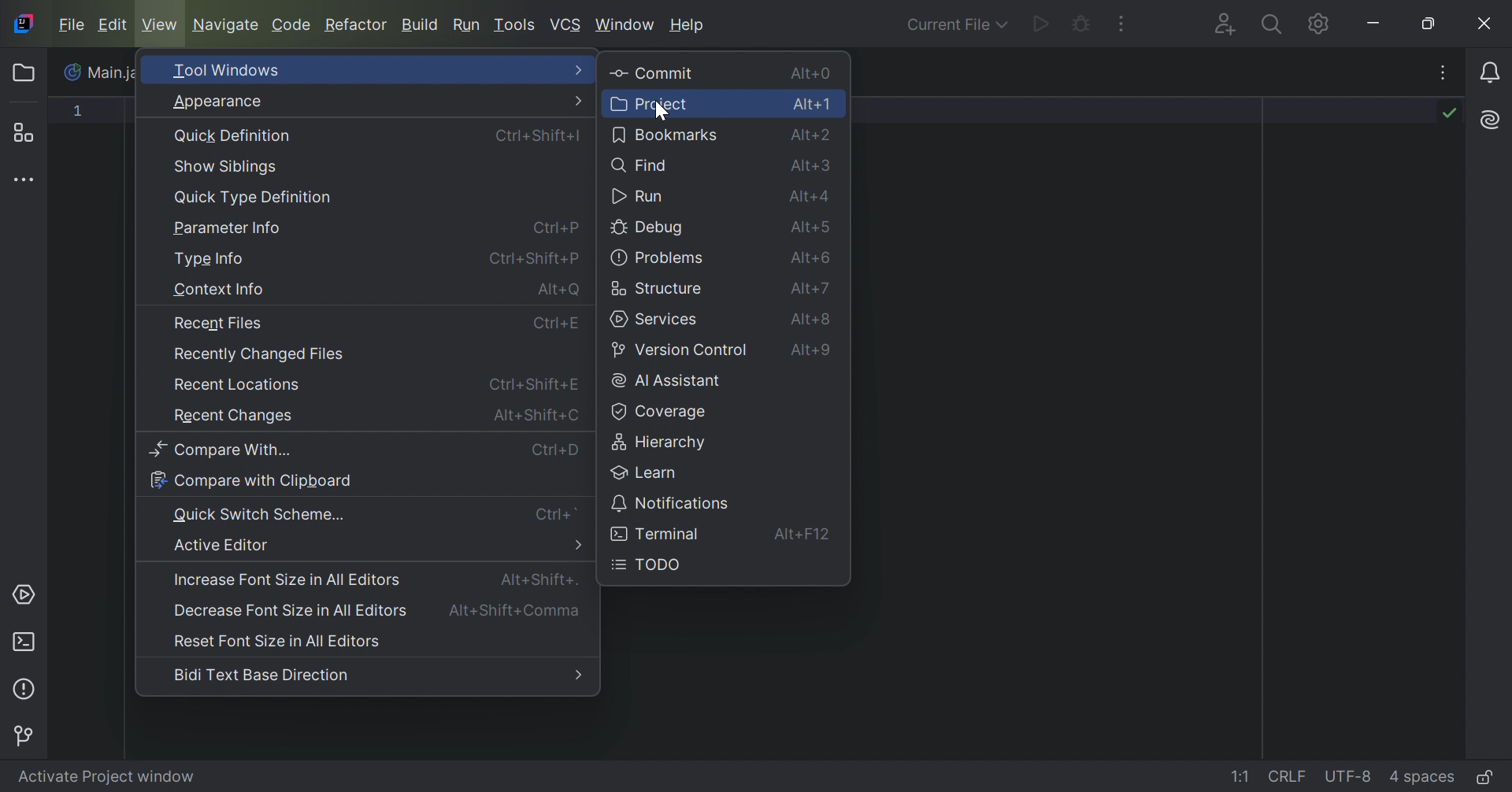 This screenshot has height=792, width=1512. Describe the element at coordinates (225, 102) in the screenshot. I see `Appearance` at that location.